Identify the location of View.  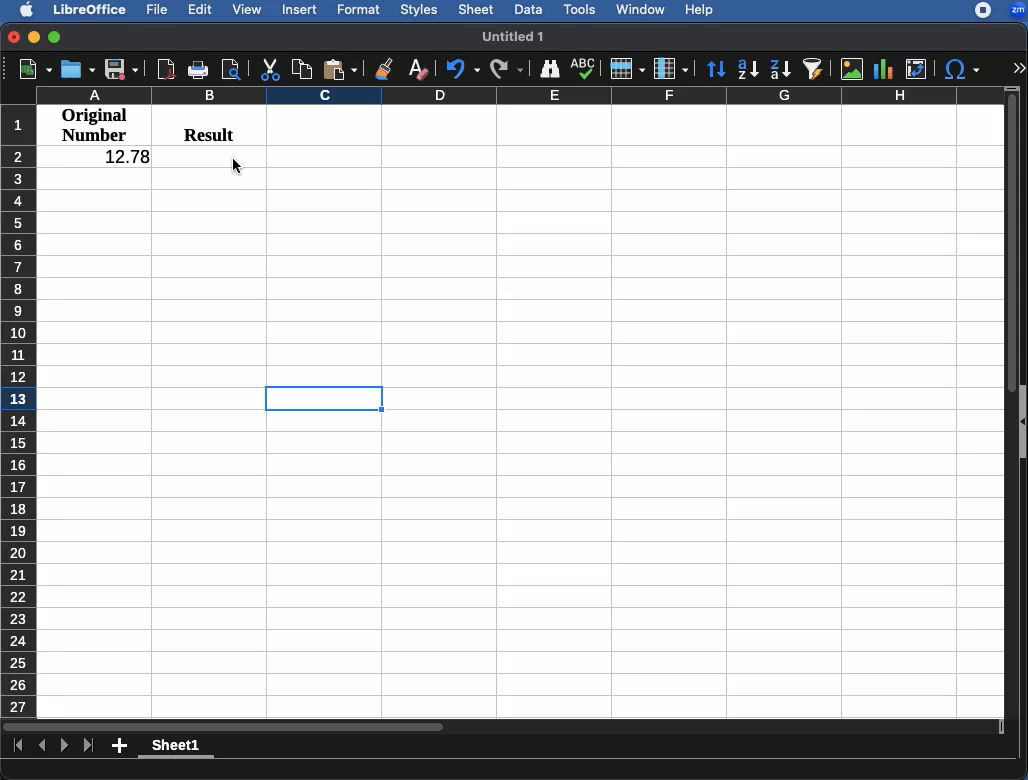
(249, 10).